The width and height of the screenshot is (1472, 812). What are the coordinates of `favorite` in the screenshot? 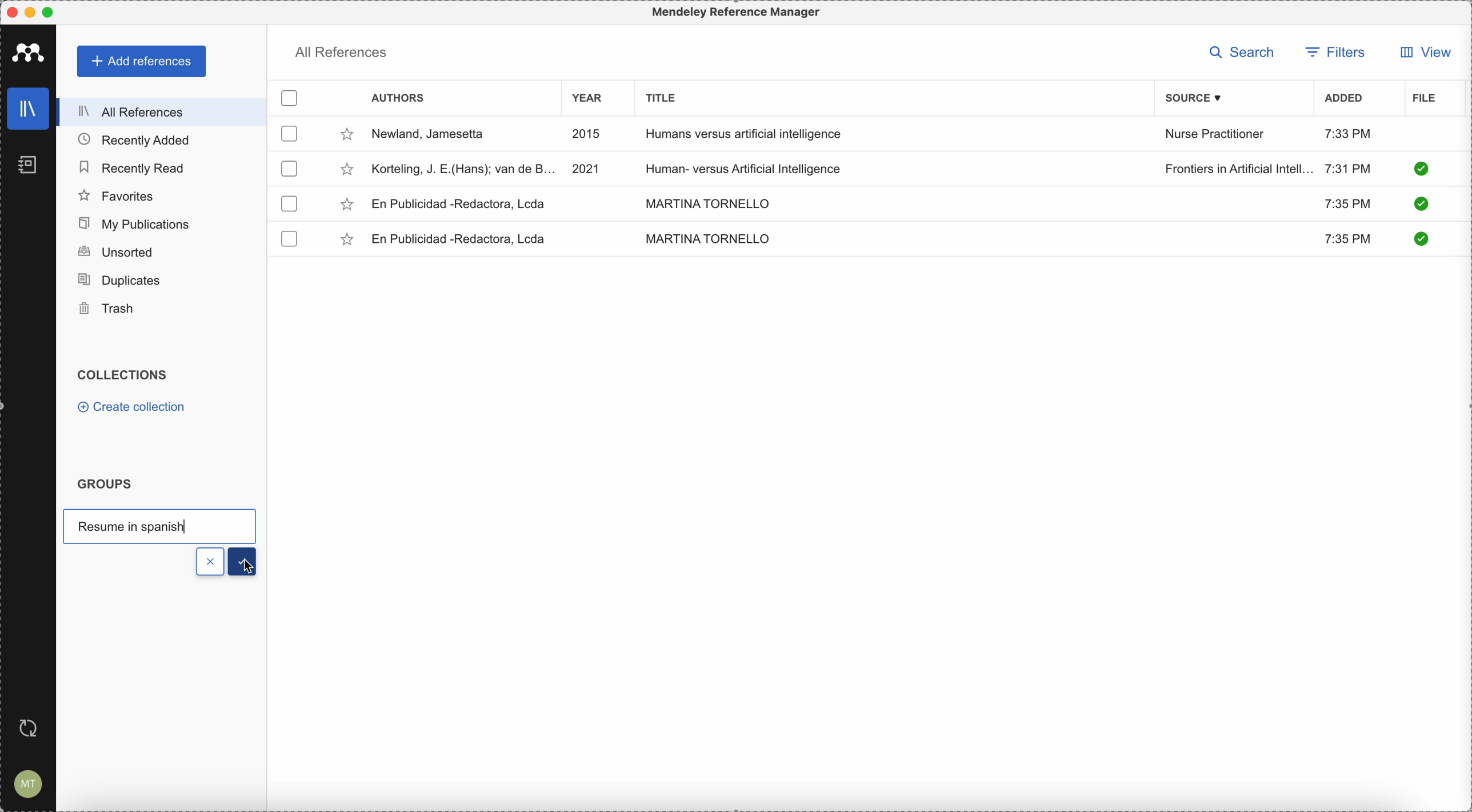 It's located at (346, 205).